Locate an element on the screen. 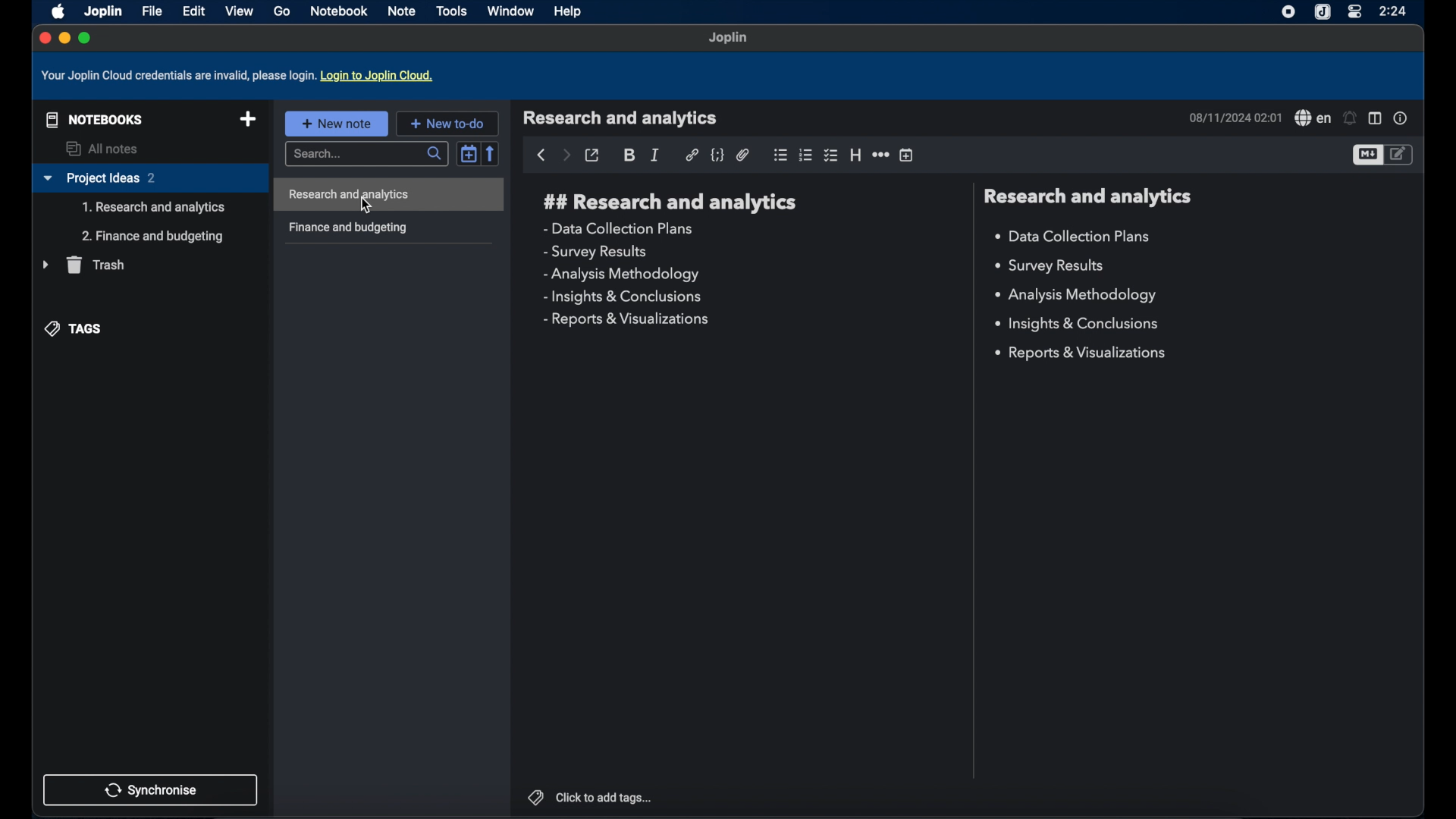  hyperlink is located at coordinates (692, 155).